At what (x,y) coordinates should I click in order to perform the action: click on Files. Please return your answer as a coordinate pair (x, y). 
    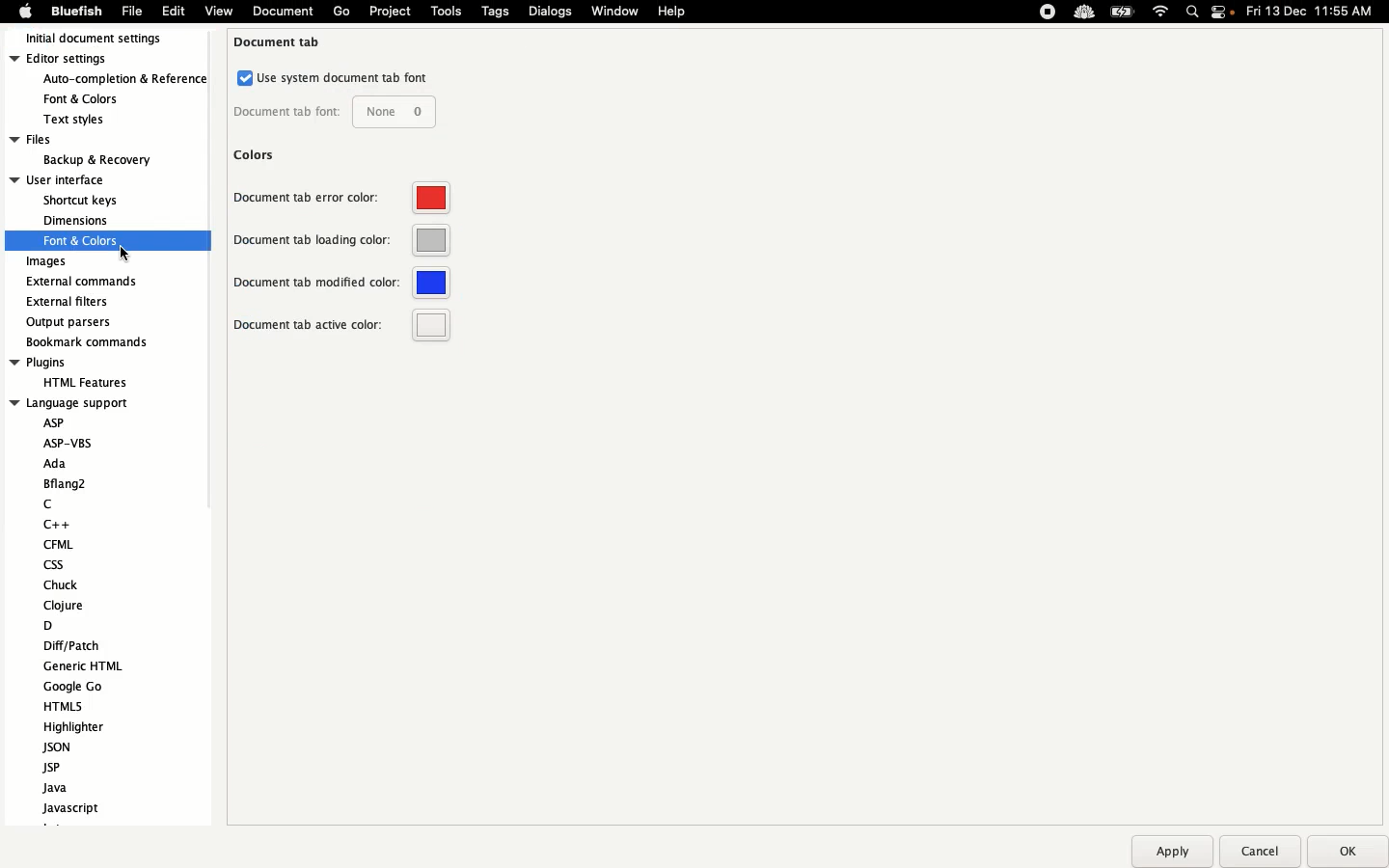
    Looking at the image, I should click on (82, 139).